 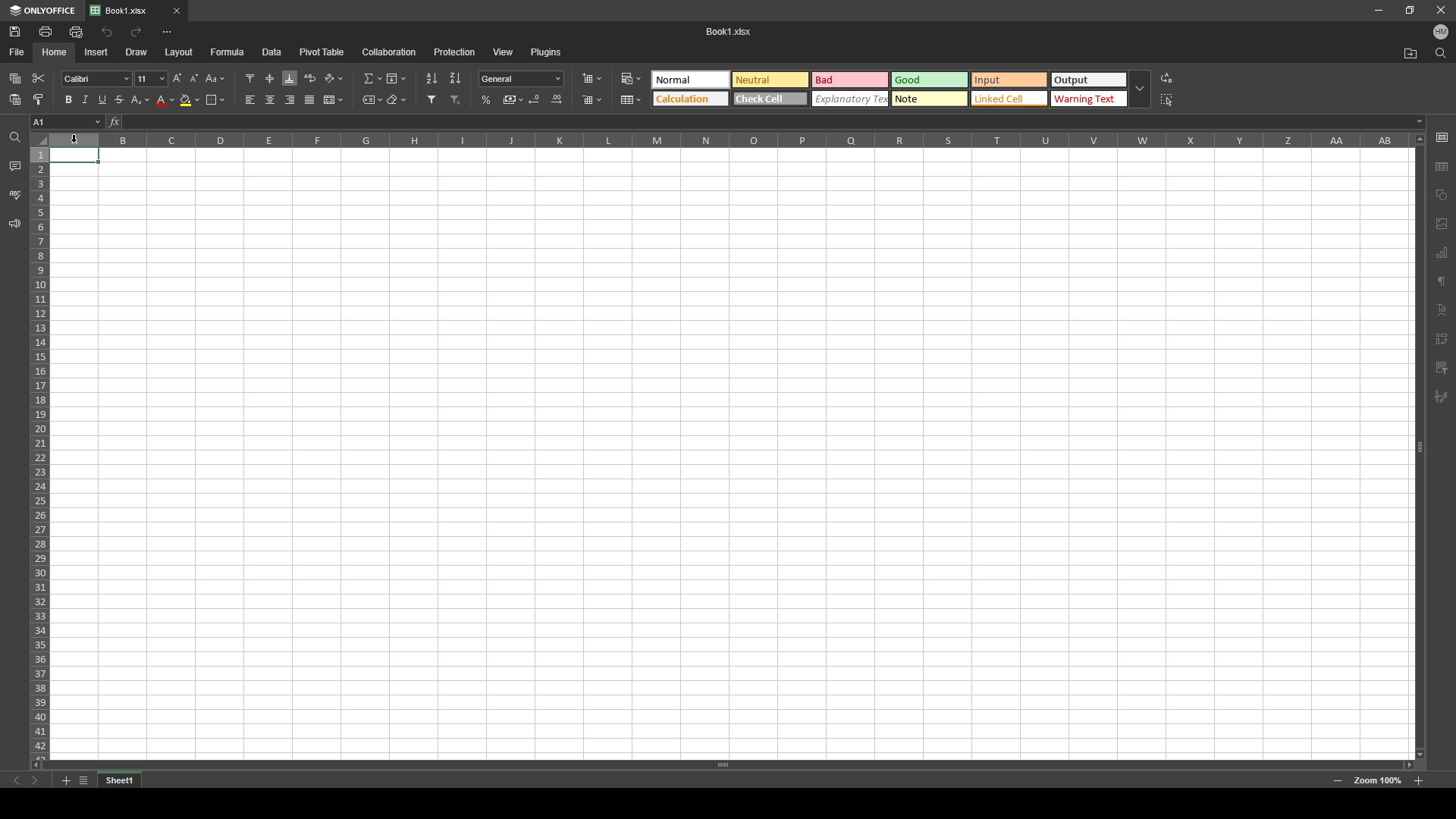 I want to click on previous, so click(x=17, y=781).